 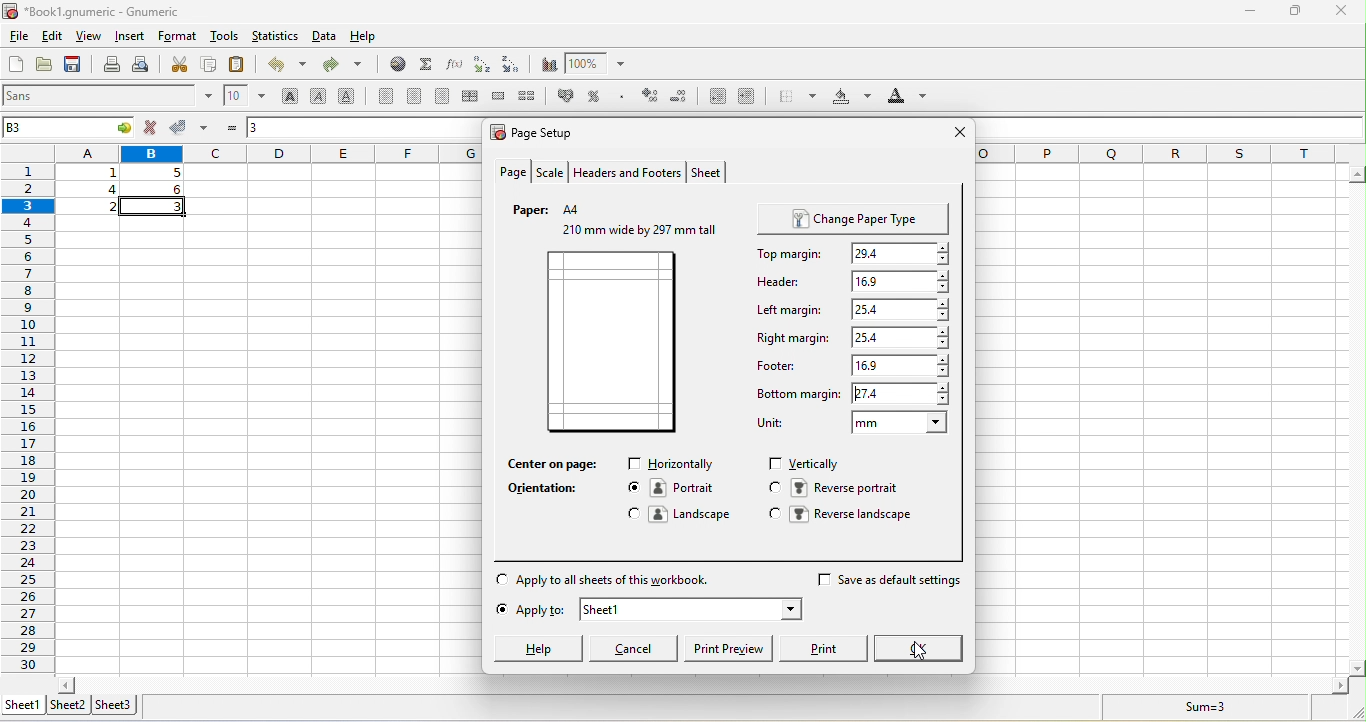 What do you see at coordinates (1193, 707) in the screenshot?
I see `sum =3` at bounding box center [1193, 707].